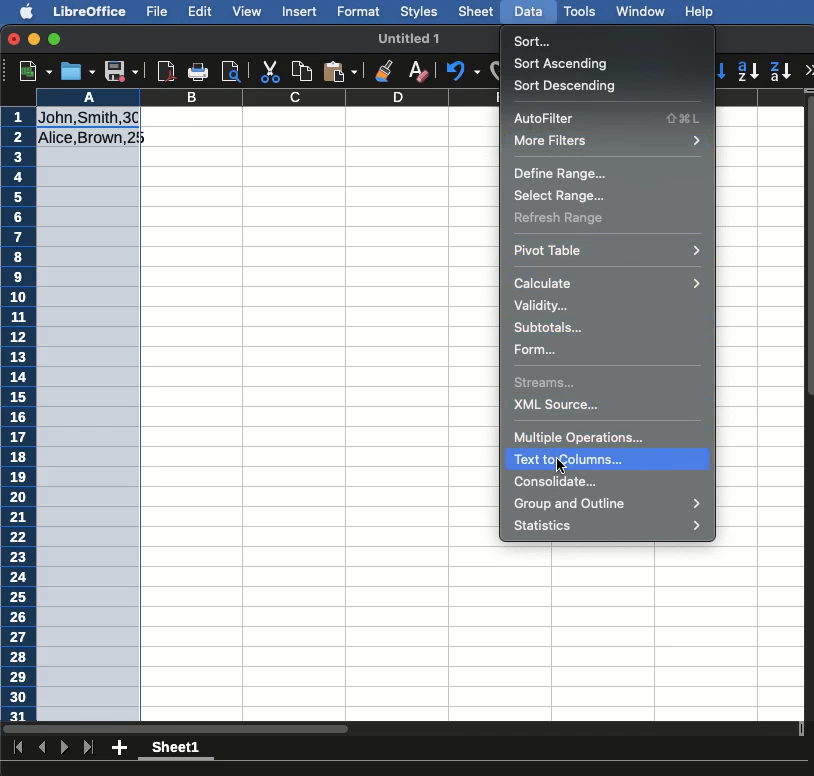 This screenshot has width=814, height=776. What do you see at coordinates (610, 140) in the screenshot?
I see `More filters` at bounding box center [610, 140].